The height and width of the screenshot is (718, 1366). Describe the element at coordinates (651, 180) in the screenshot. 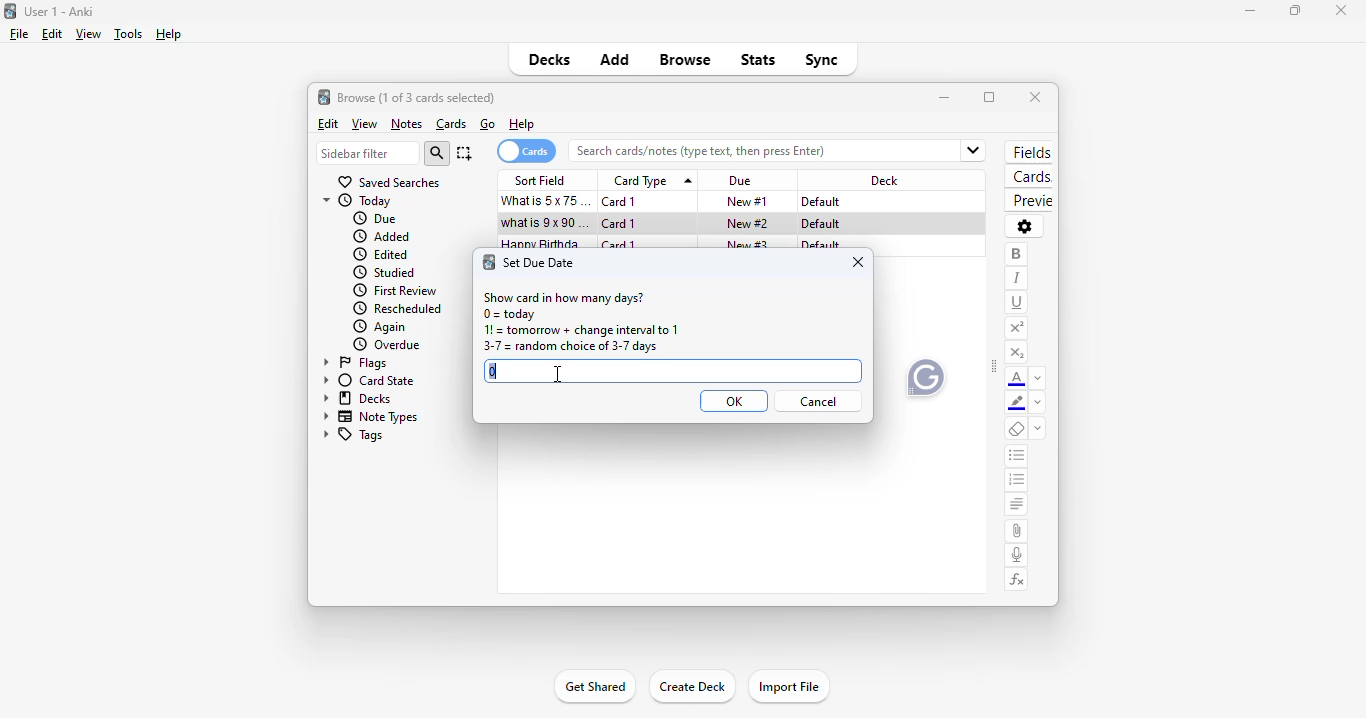

I see `card type` at that location.